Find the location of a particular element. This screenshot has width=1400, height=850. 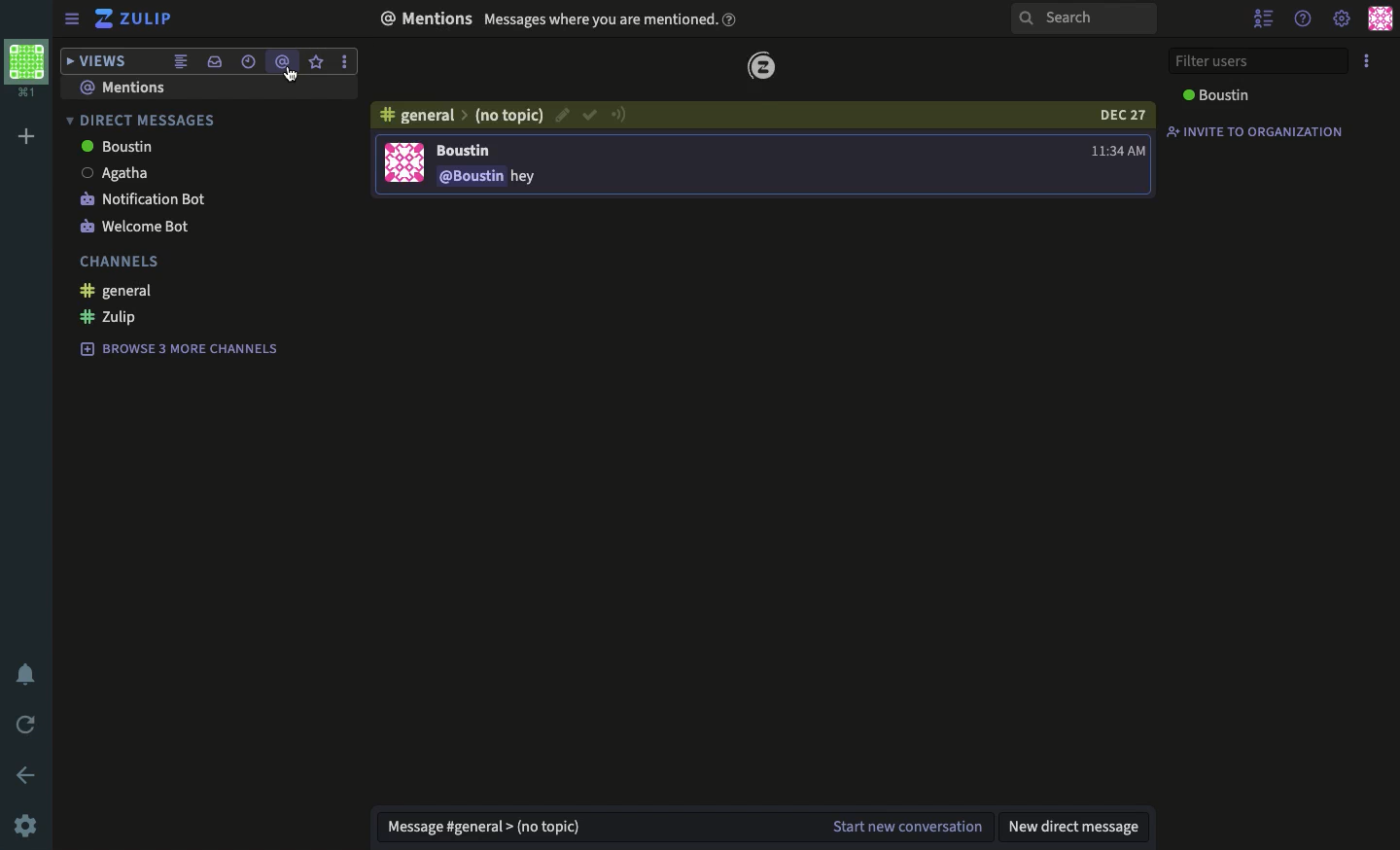

Boustin is located at coordinates (122, 147).